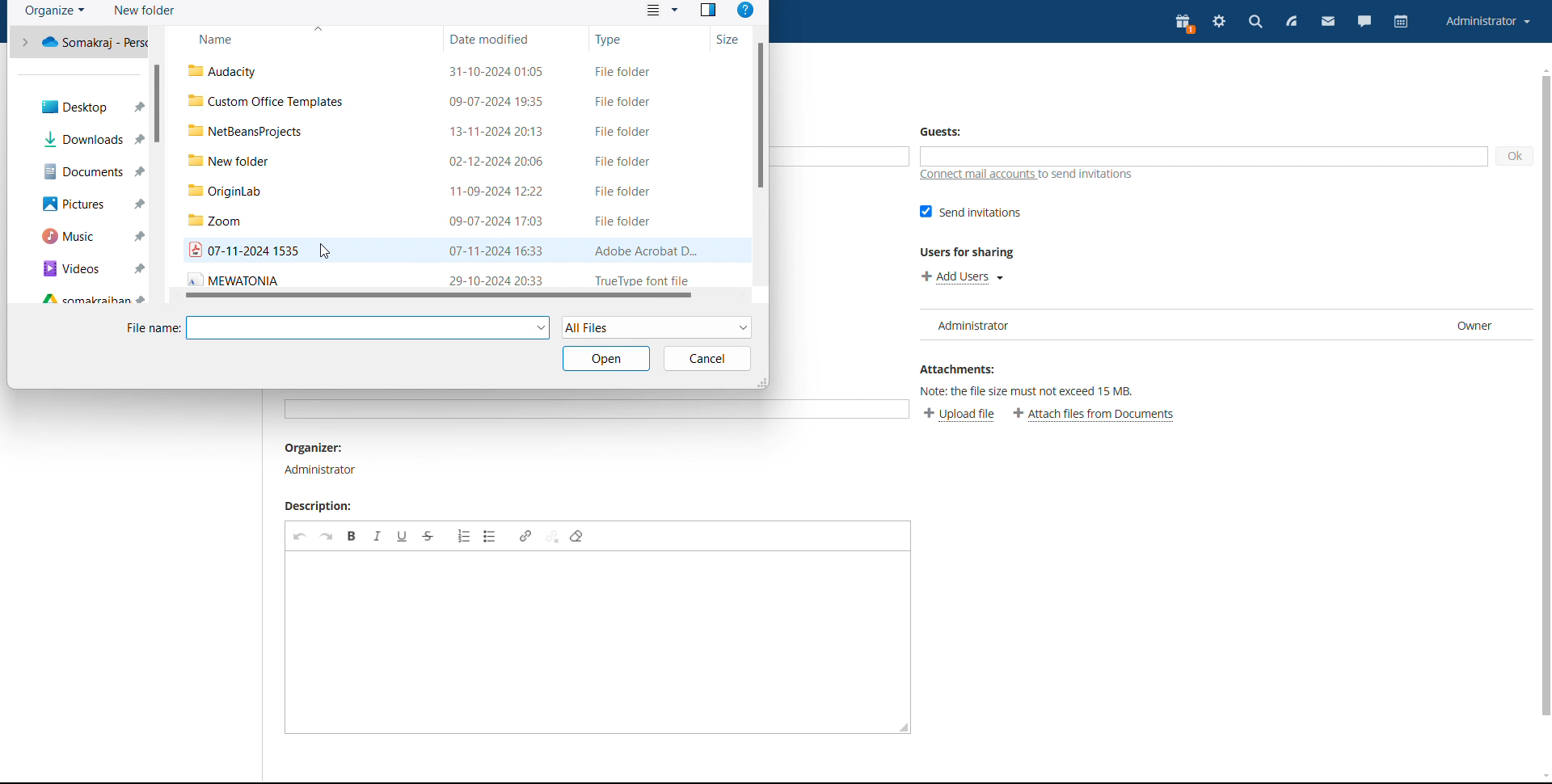  I want to click on , so click(445, 225).